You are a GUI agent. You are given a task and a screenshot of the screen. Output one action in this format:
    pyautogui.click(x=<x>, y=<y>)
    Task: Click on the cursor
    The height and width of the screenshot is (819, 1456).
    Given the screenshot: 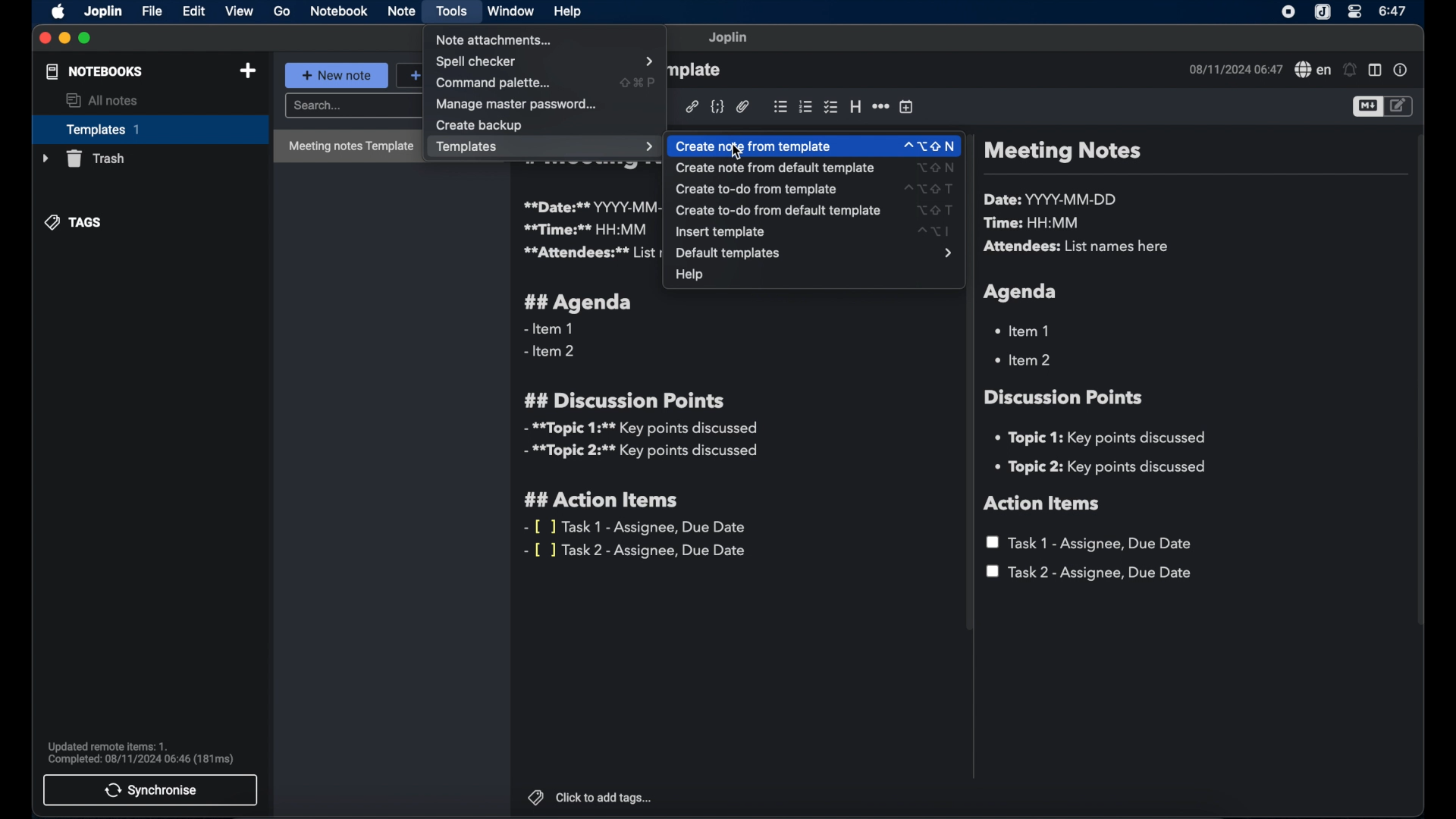 What is the action you would take?
    pyautogui.click(x=736, y=153)
    